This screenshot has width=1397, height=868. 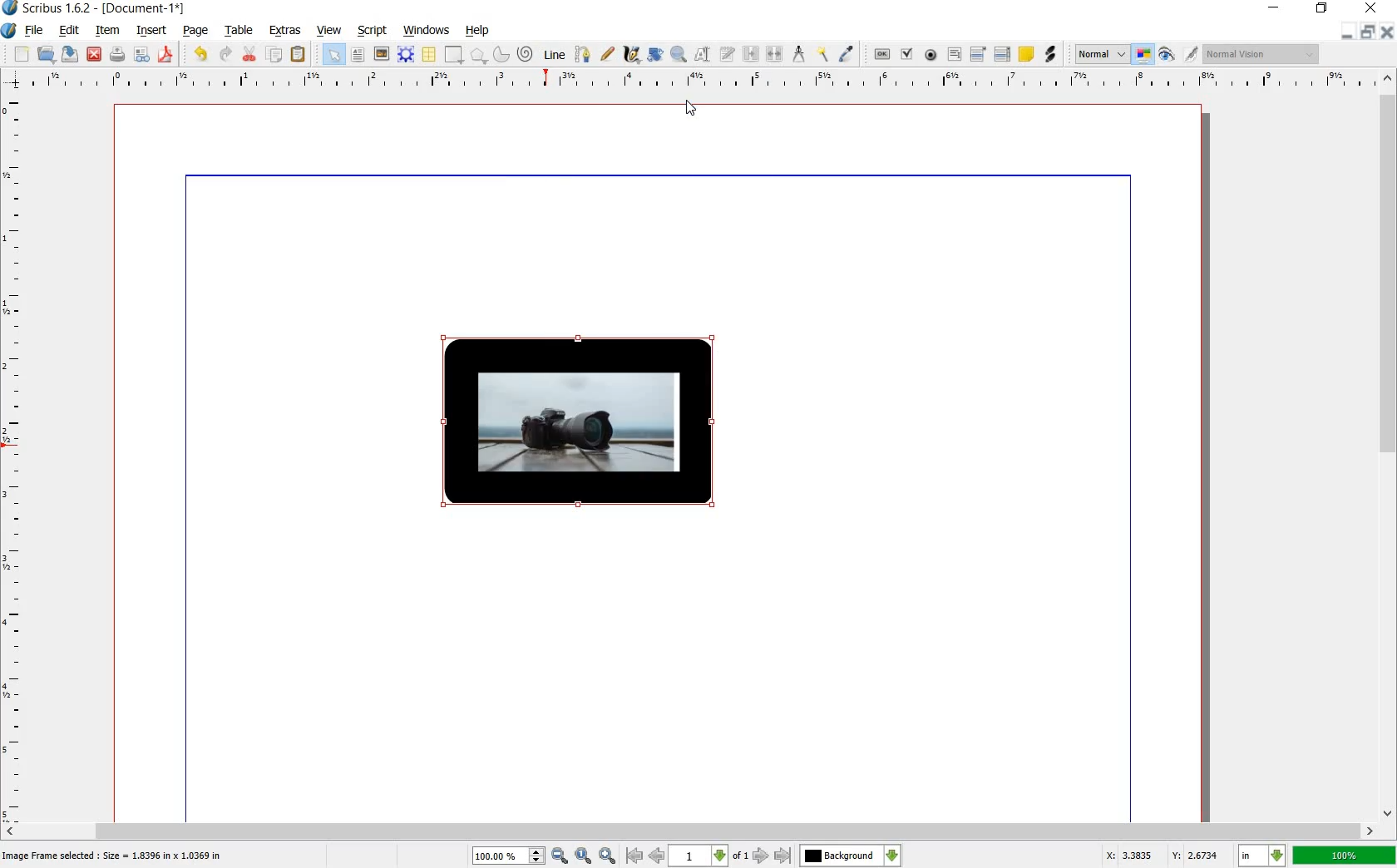 What do you see at coordinates (403, 53) in the screenshot?
I see `render frame` at bounding box center [403, 53].